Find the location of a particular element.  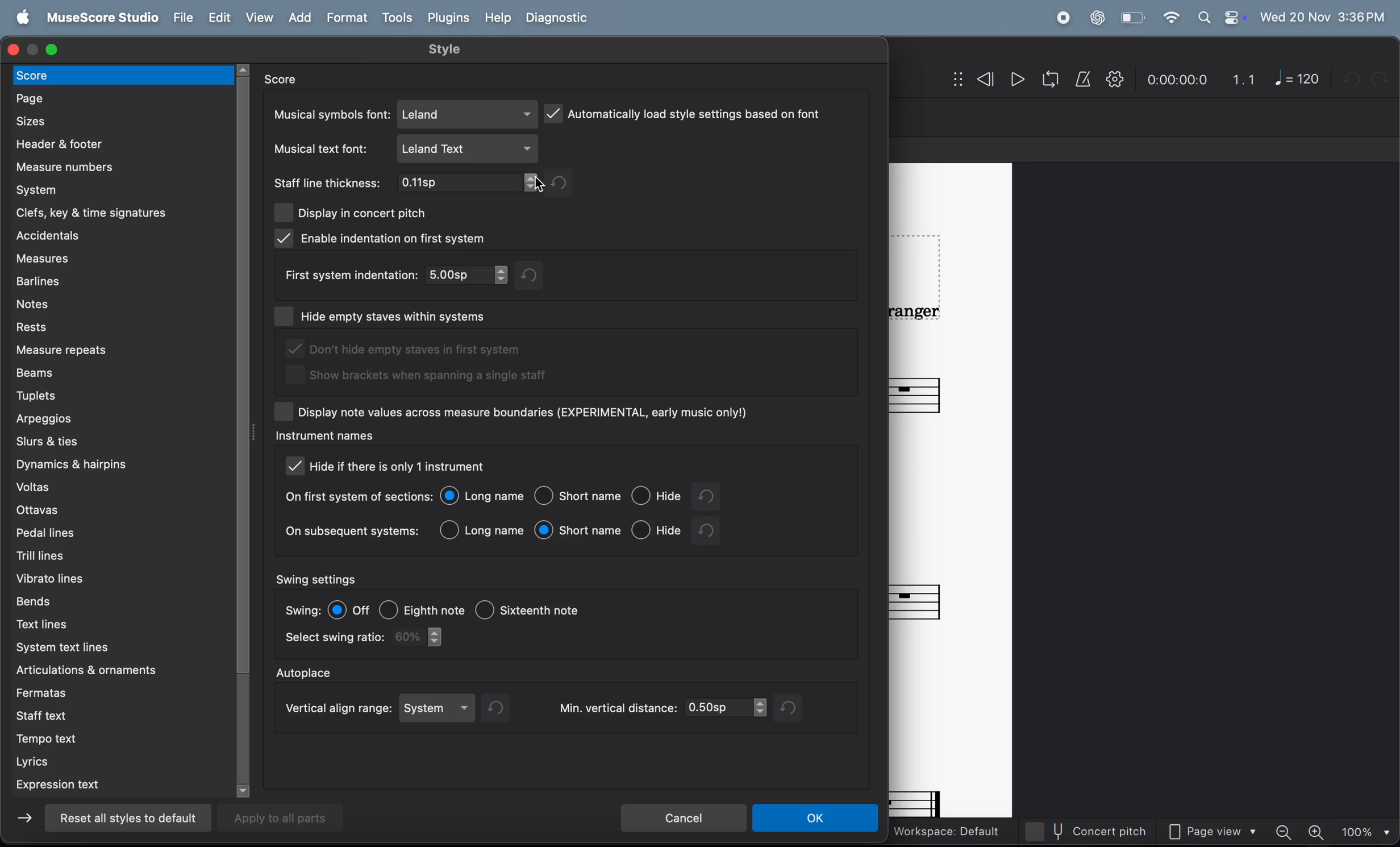

time frame is located at coordinates (1176, 81).